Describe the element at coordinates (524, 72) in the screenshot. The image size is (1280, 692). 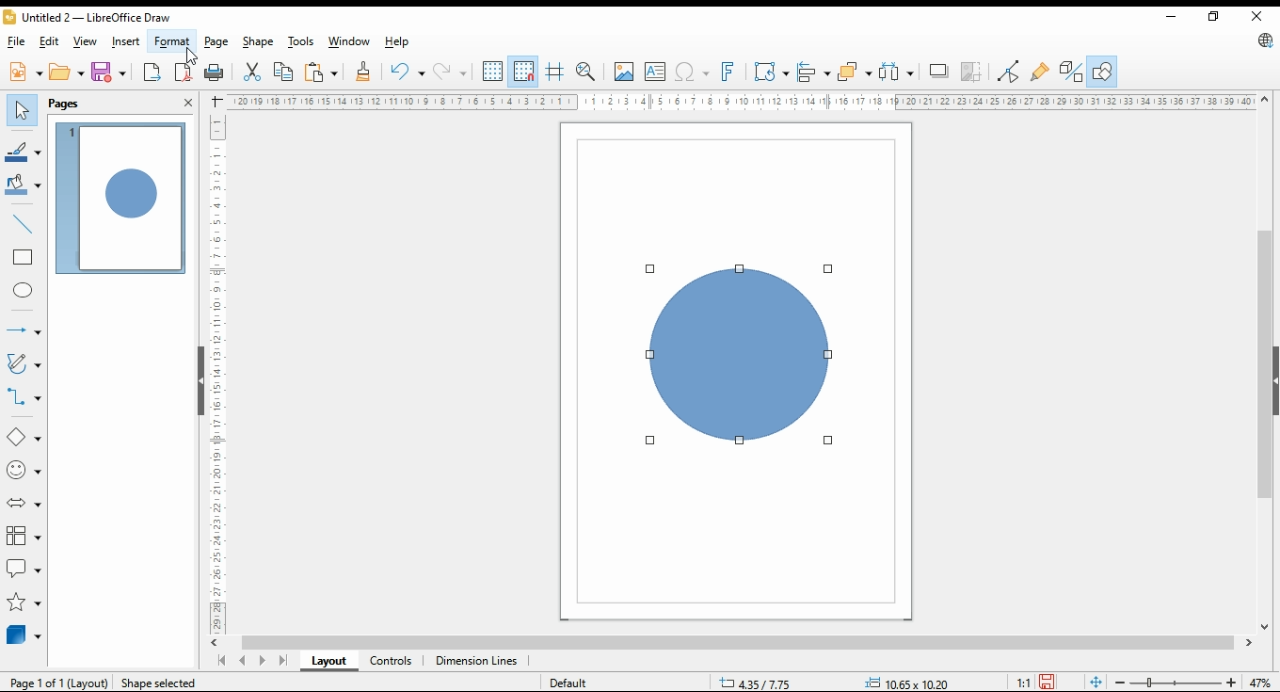
I see `snap to grids` at that location.